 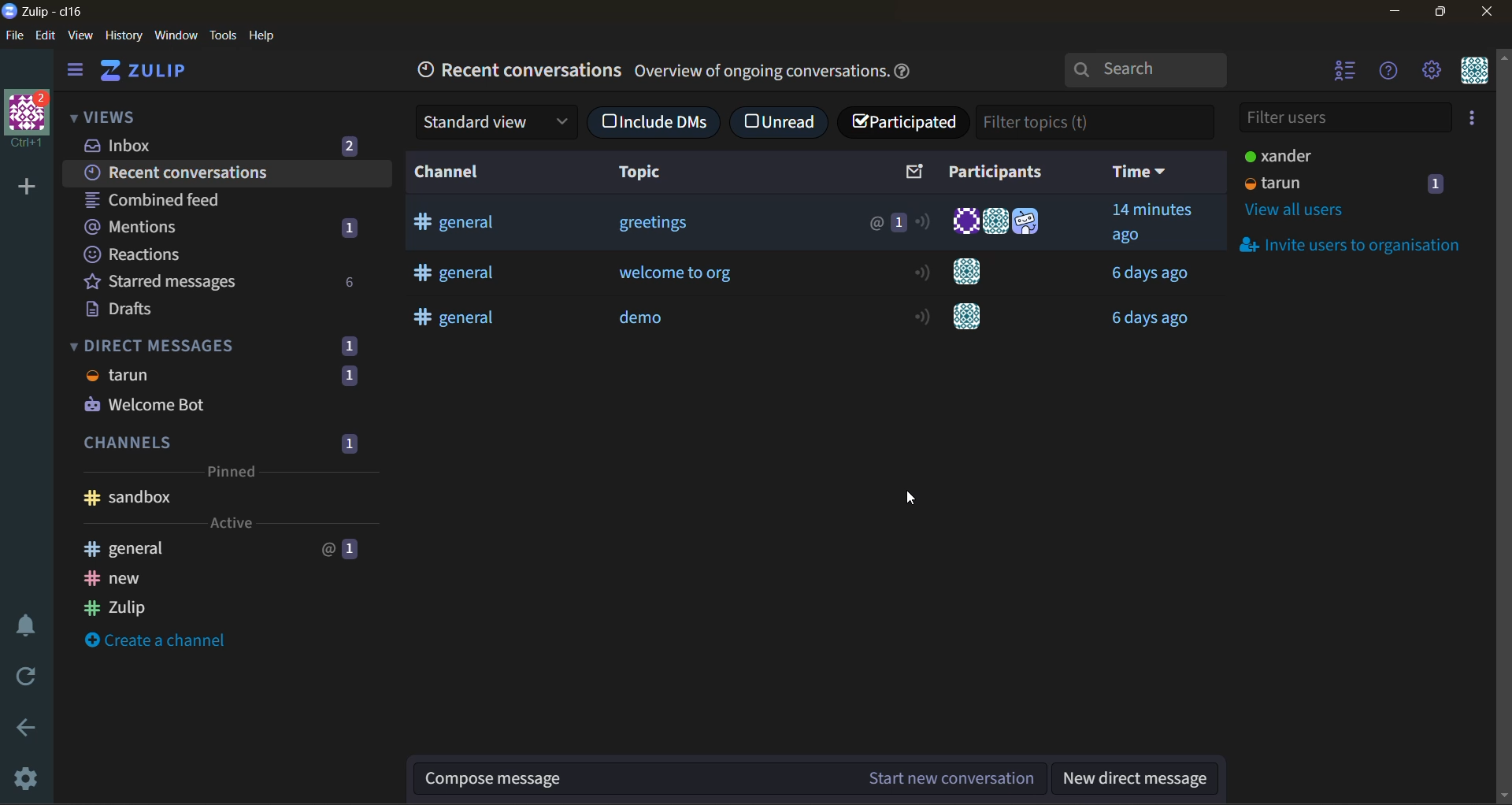 I want to click on views, so click(x=120, y=117).